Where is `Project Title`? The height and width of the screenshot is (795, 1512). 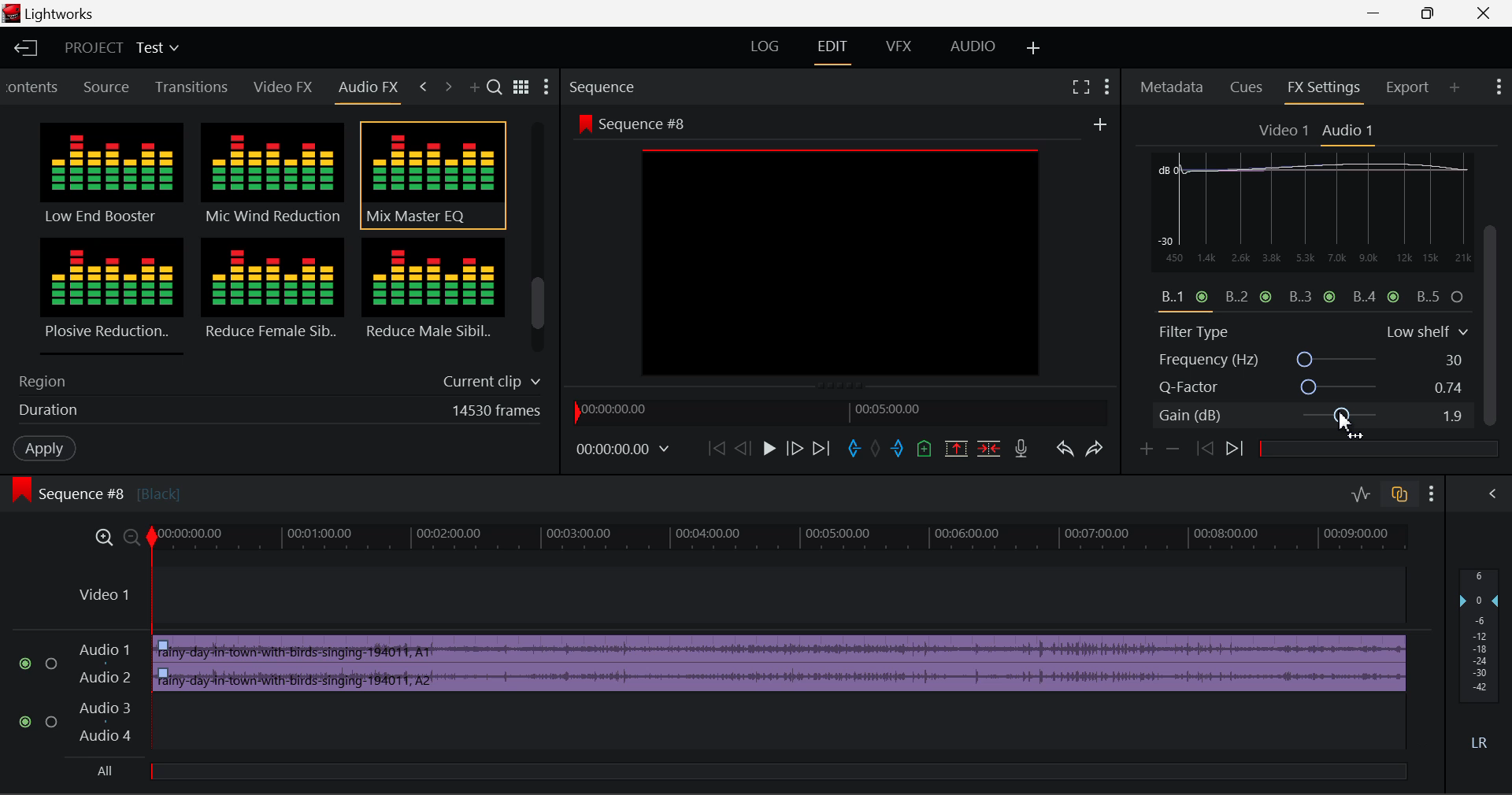
Project Title is located at coordinates (120, 47).